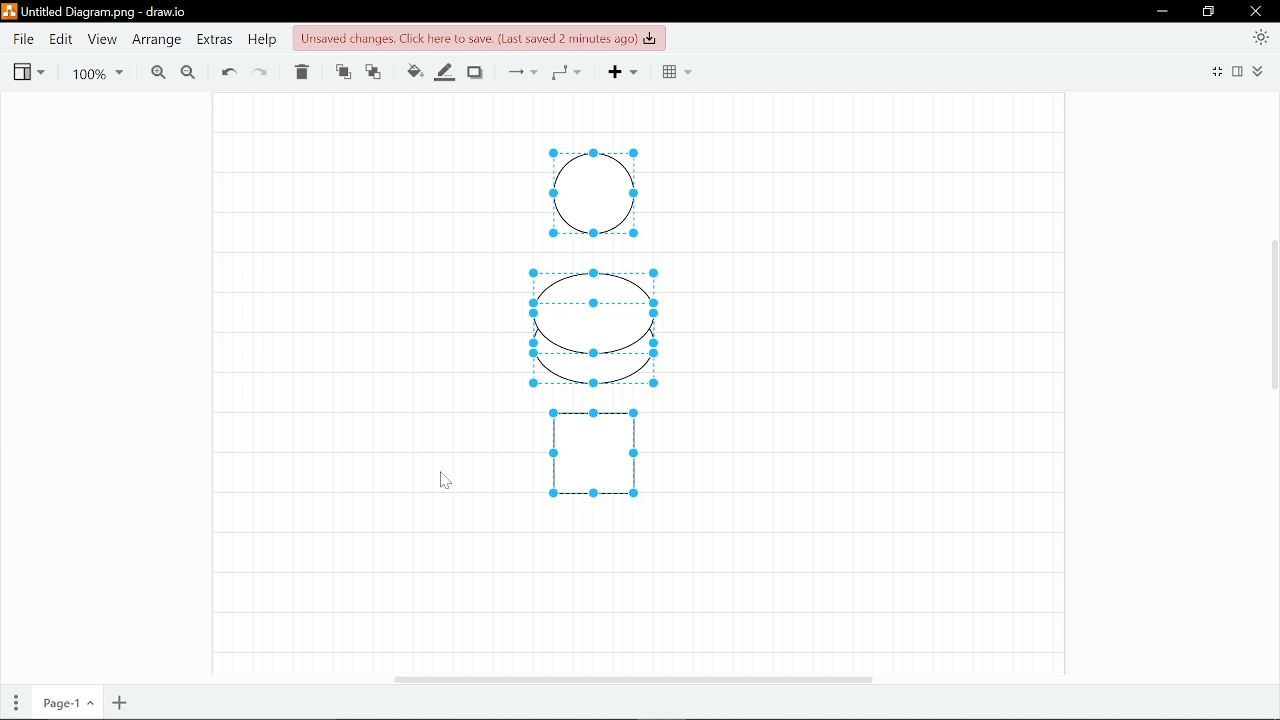 The image size is (1280, 720). What do you see at coordinates (479, 38) in the screenshot?
I see `Click to save changes` at bounding box center [479, 38].